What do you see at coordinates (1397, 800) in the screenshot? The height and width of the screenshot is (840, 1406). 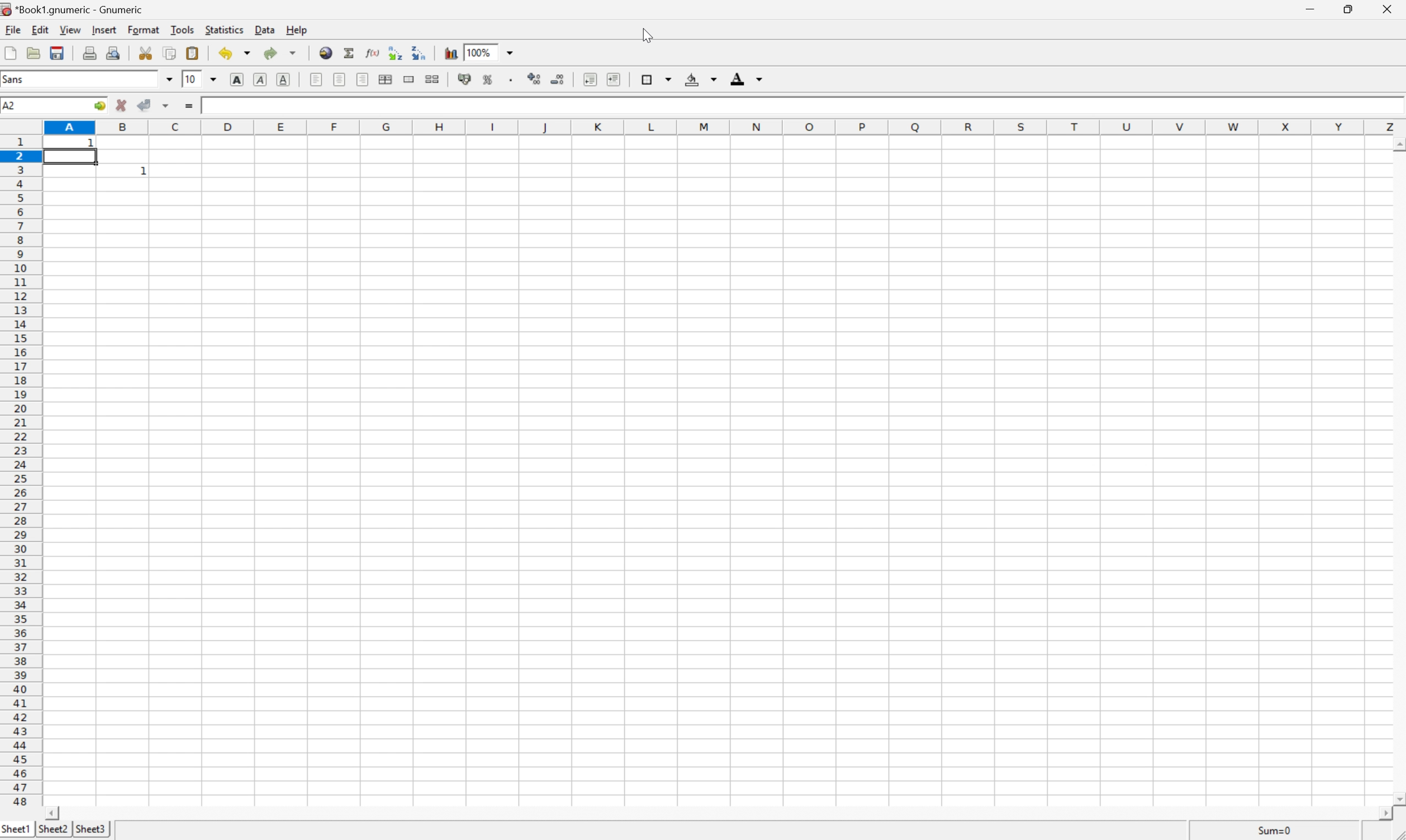 I see `scroll down` at bounding box center [1397, 800].